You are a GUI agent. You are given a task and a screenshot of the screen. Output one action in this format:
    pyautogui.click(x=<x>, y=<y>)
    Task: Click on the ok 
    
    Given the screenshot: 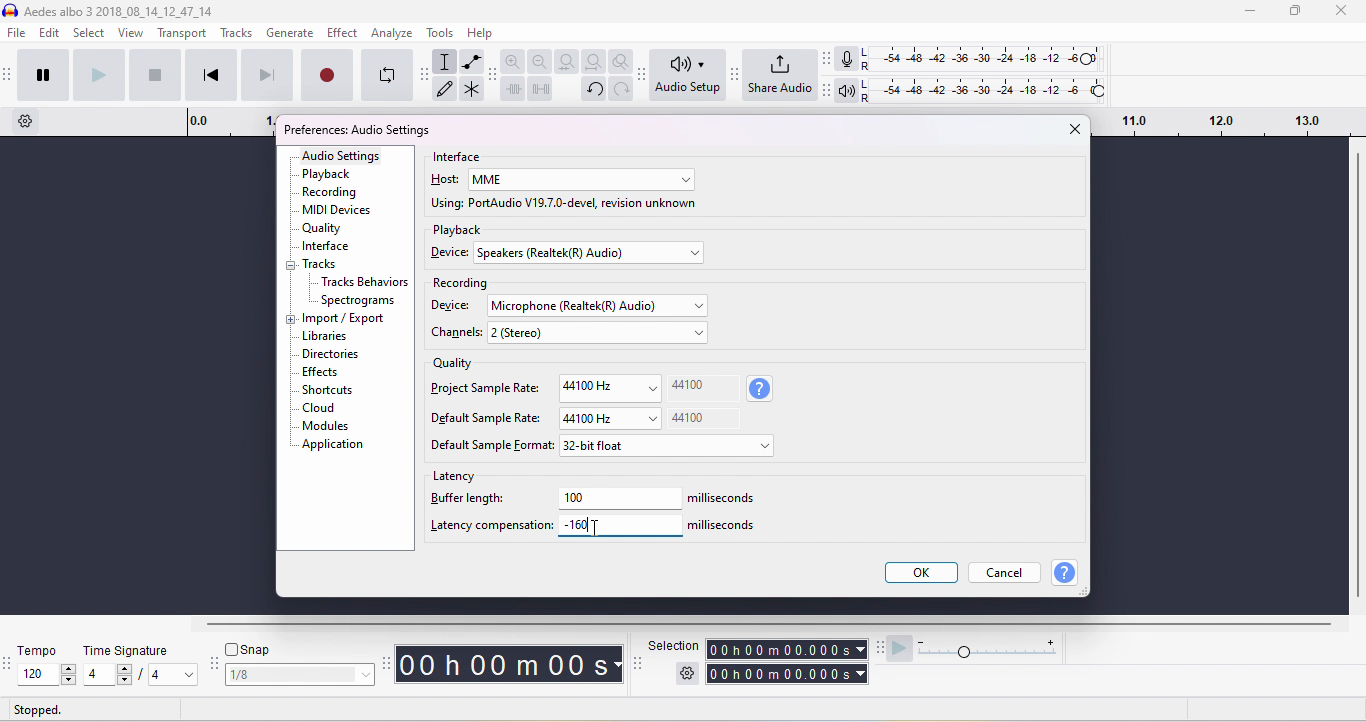 What is the action you would take?
    pyautogui.click(x=919, y=572)
    